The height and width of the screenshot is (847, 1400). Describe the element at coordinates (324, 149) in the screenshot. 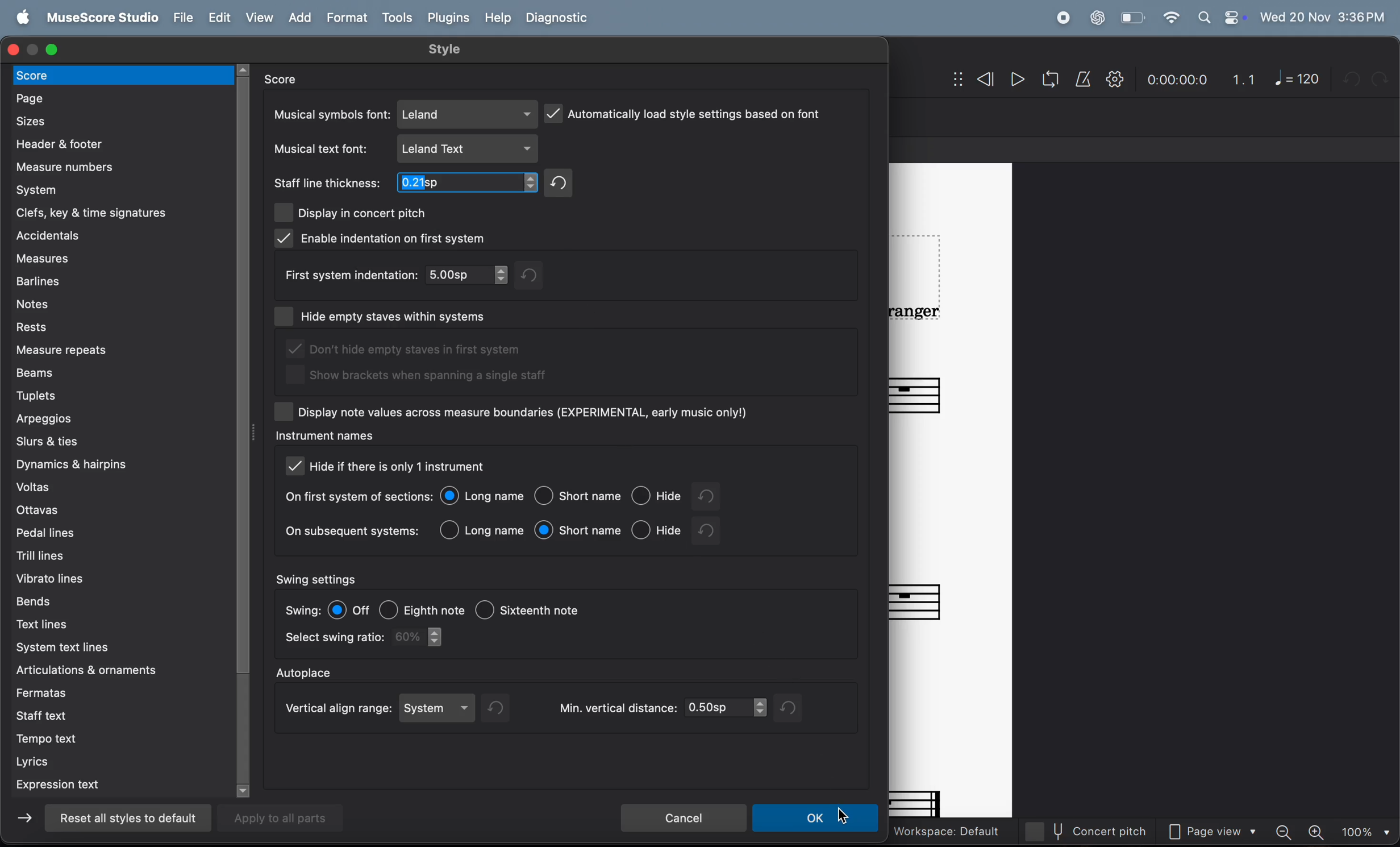

I see `musical text font` at that location.